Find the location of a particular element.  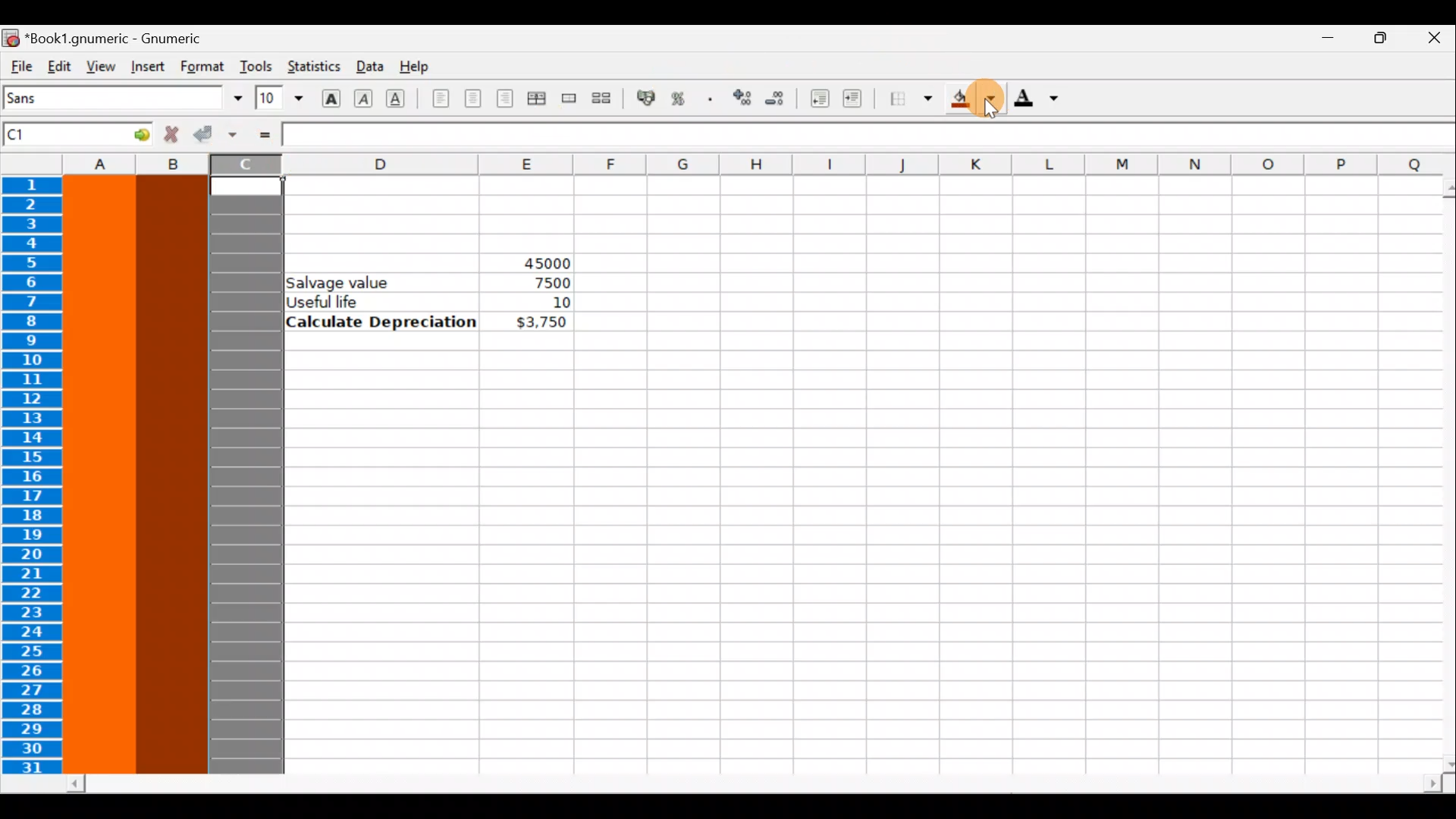

Centre horizontally is located at coordinates (472, 103).